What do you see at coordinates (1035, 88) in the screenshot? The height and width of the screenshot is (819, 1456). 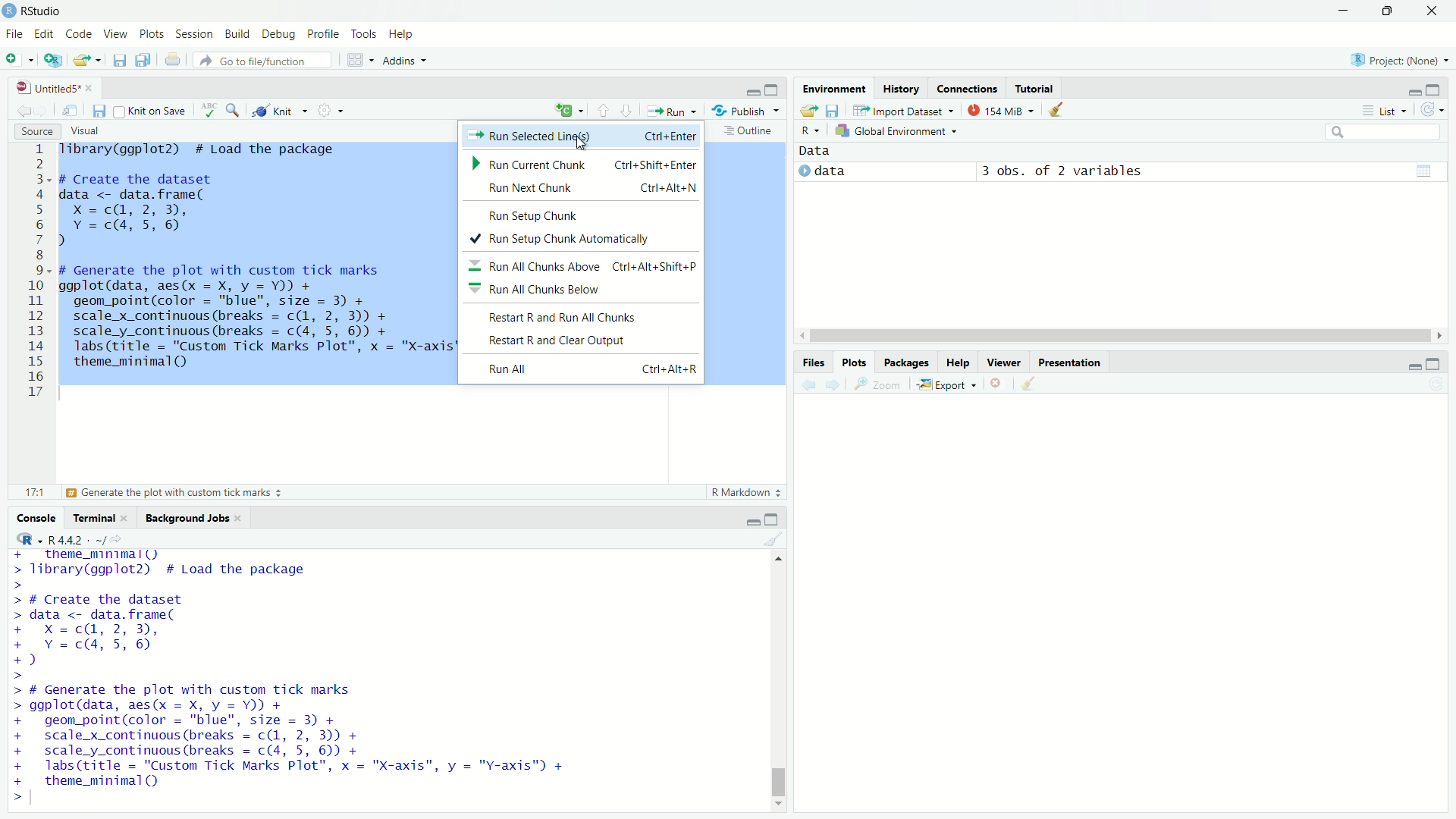 I see `tutorial` at bounding box center [1035, 88].